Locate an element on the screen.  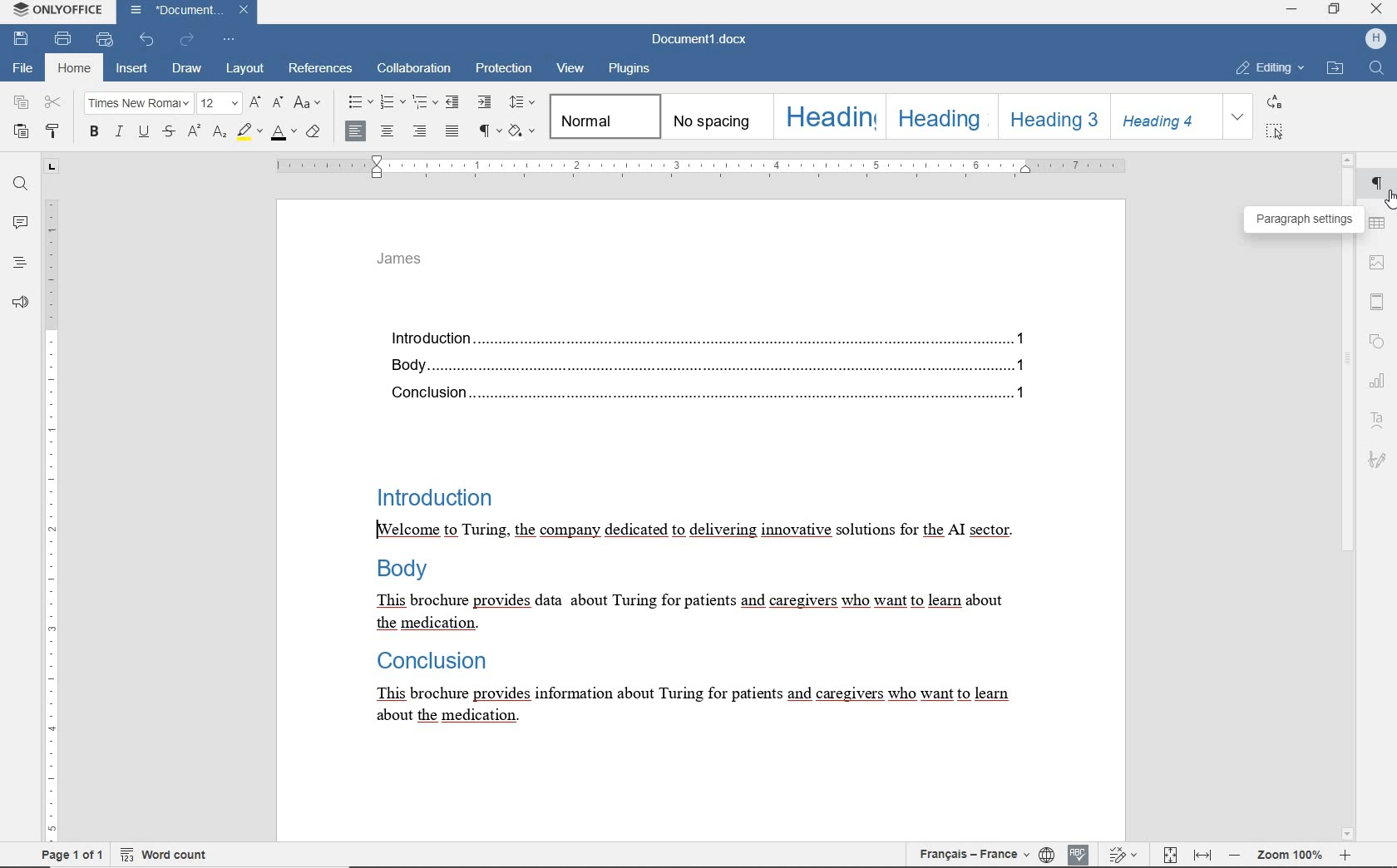
set document language is located at coordinates (1047, 856).